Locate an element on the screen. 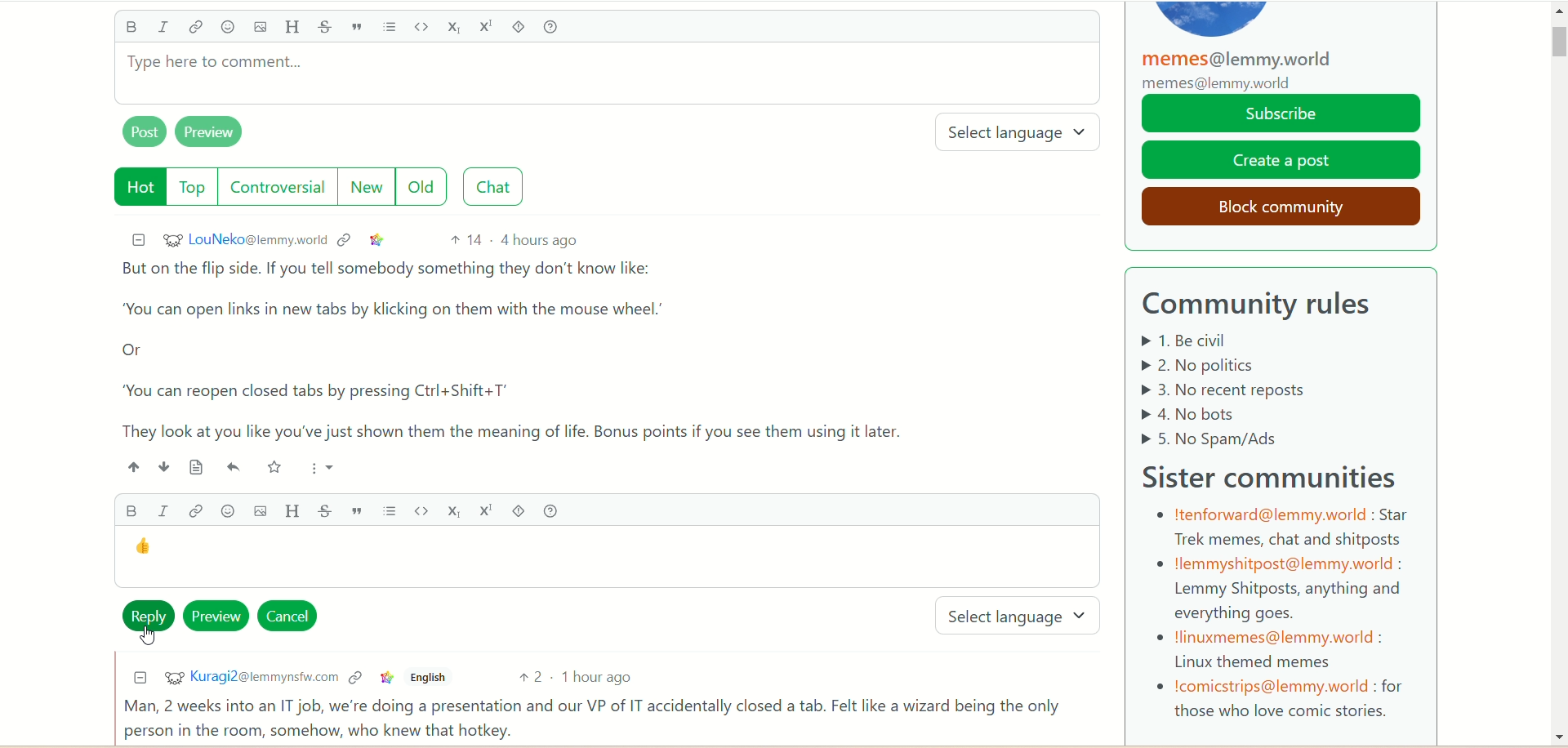 The height and width of the screenshot is (748, 1568). header is located at coordinates (295, 510).